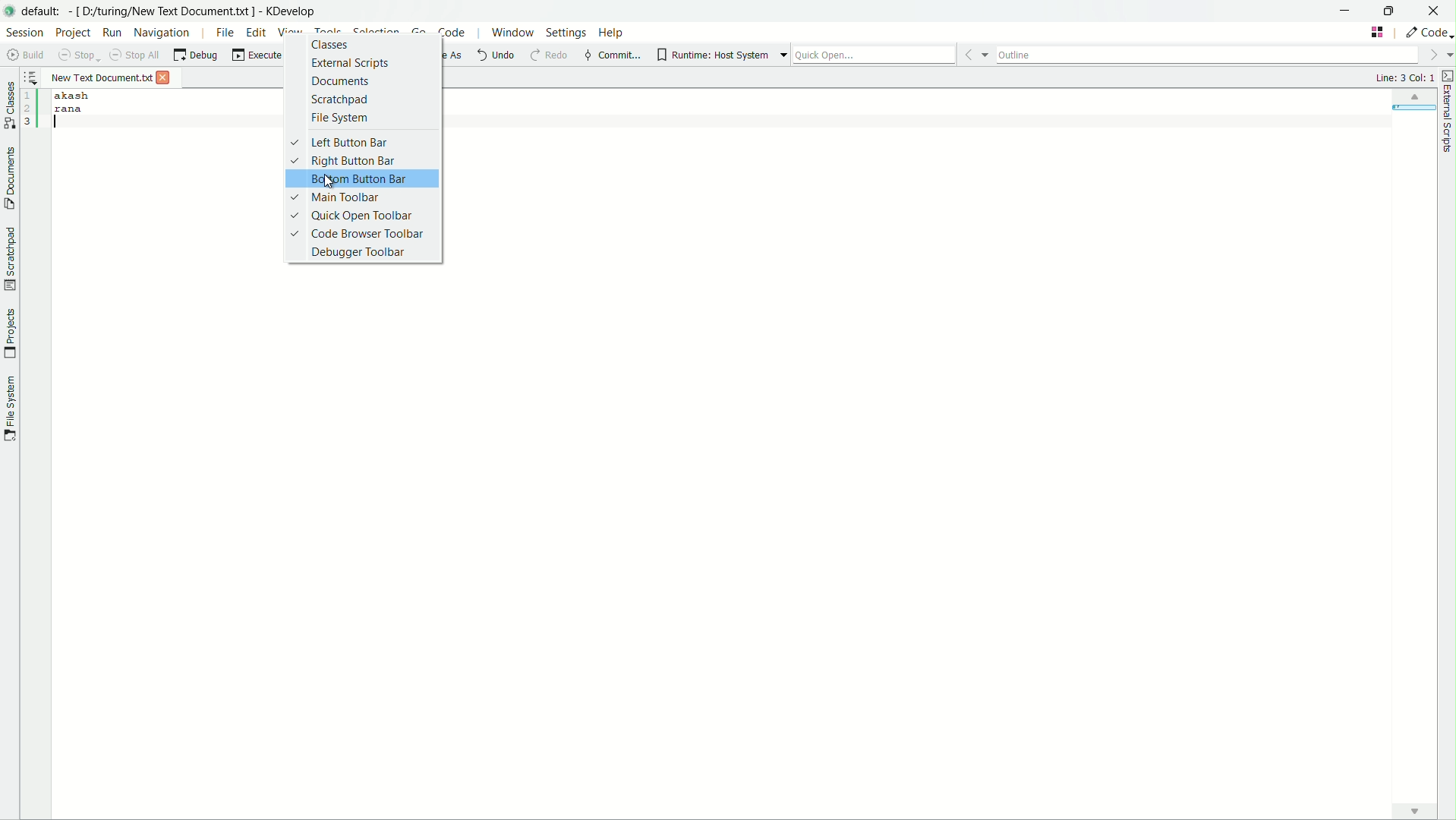 The image size is (1456, 820). Describe the element at coordinates (341, 81) in the screenshot. I see `documents` at that location.